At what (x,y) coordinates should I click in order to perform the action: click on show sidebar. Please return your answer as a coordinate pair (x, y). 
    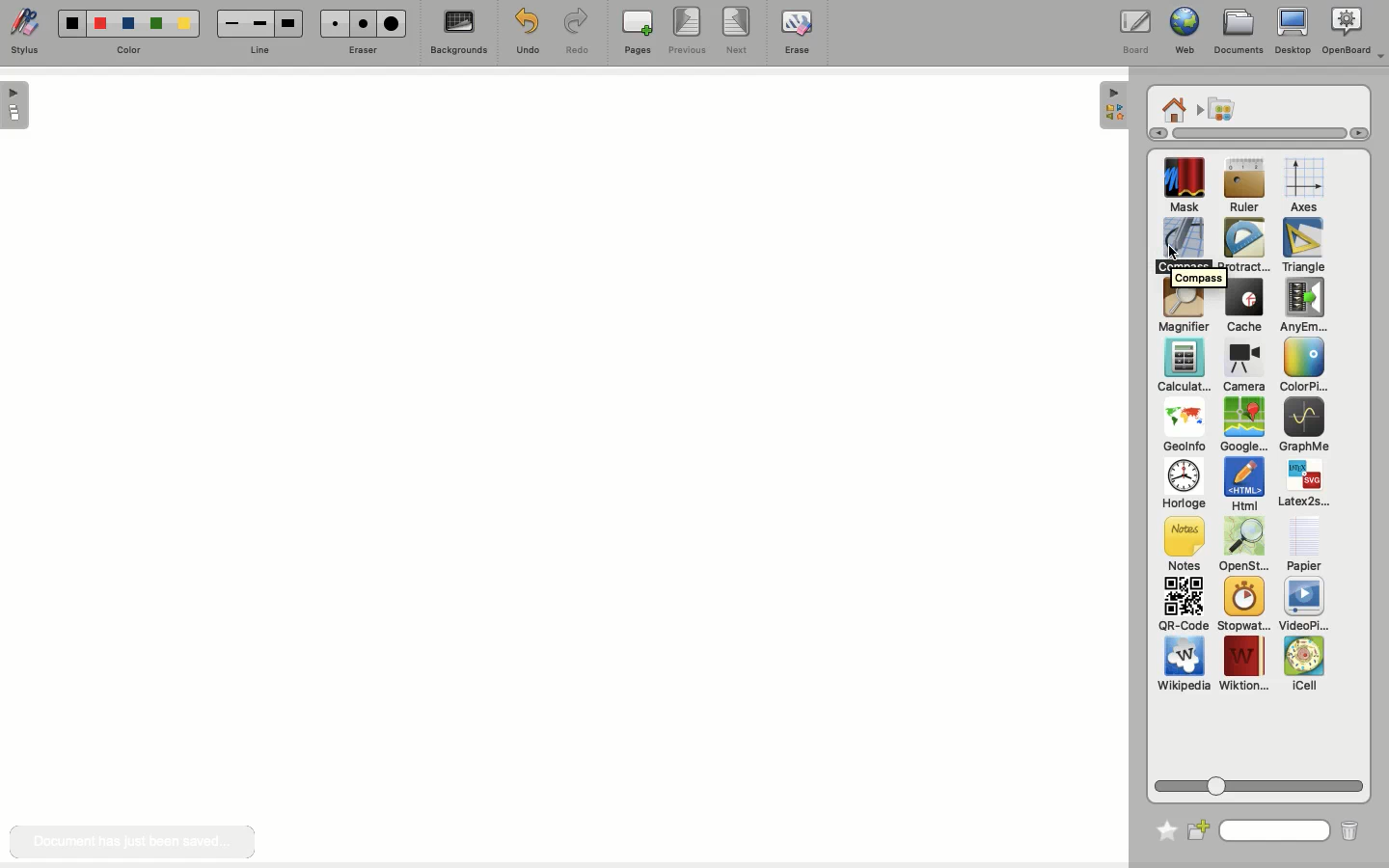
    Looking at the image, I should click on (16, 105).